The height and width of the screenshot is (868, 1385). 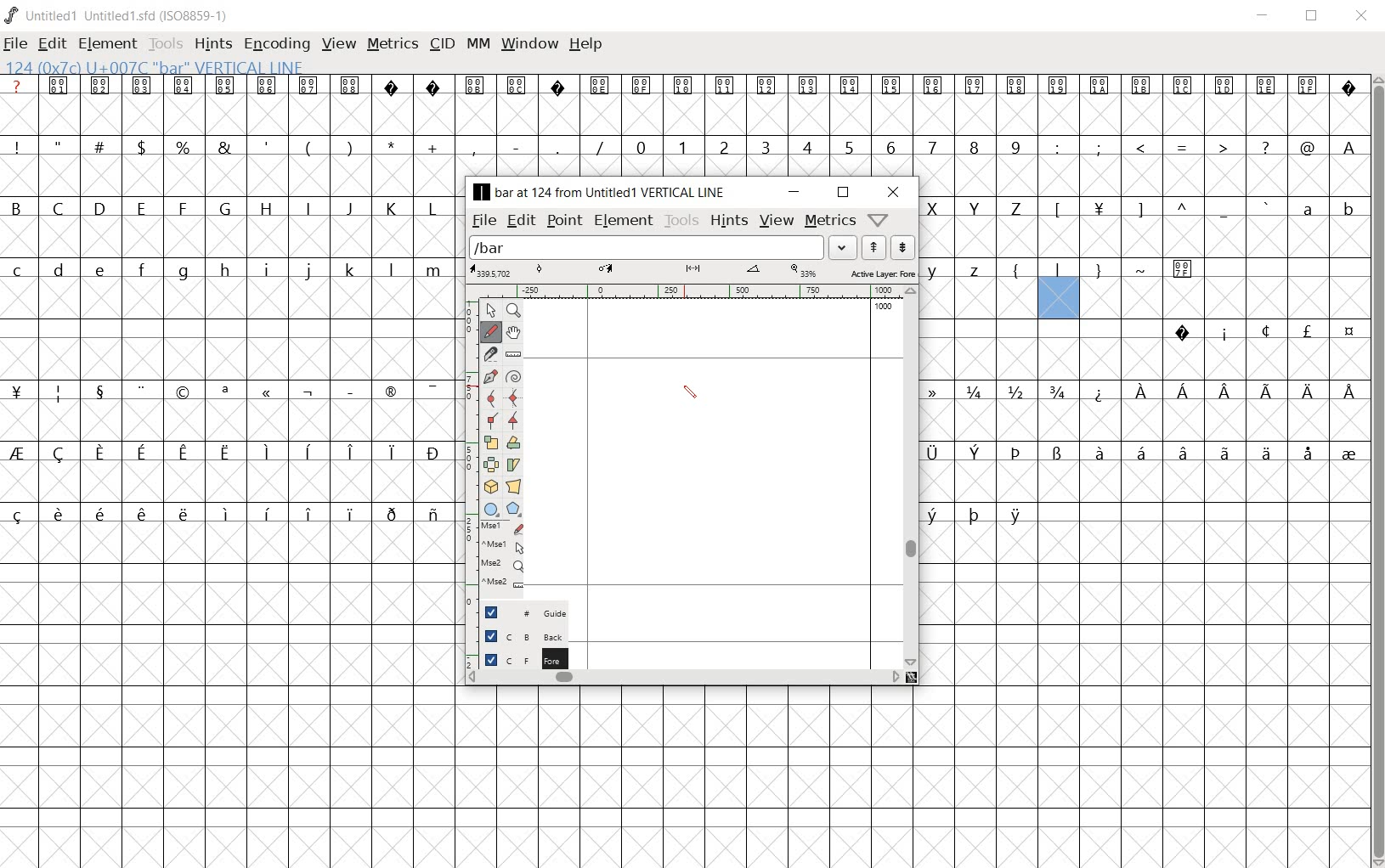 I want to click on metrics, so click(x=393, y=42).